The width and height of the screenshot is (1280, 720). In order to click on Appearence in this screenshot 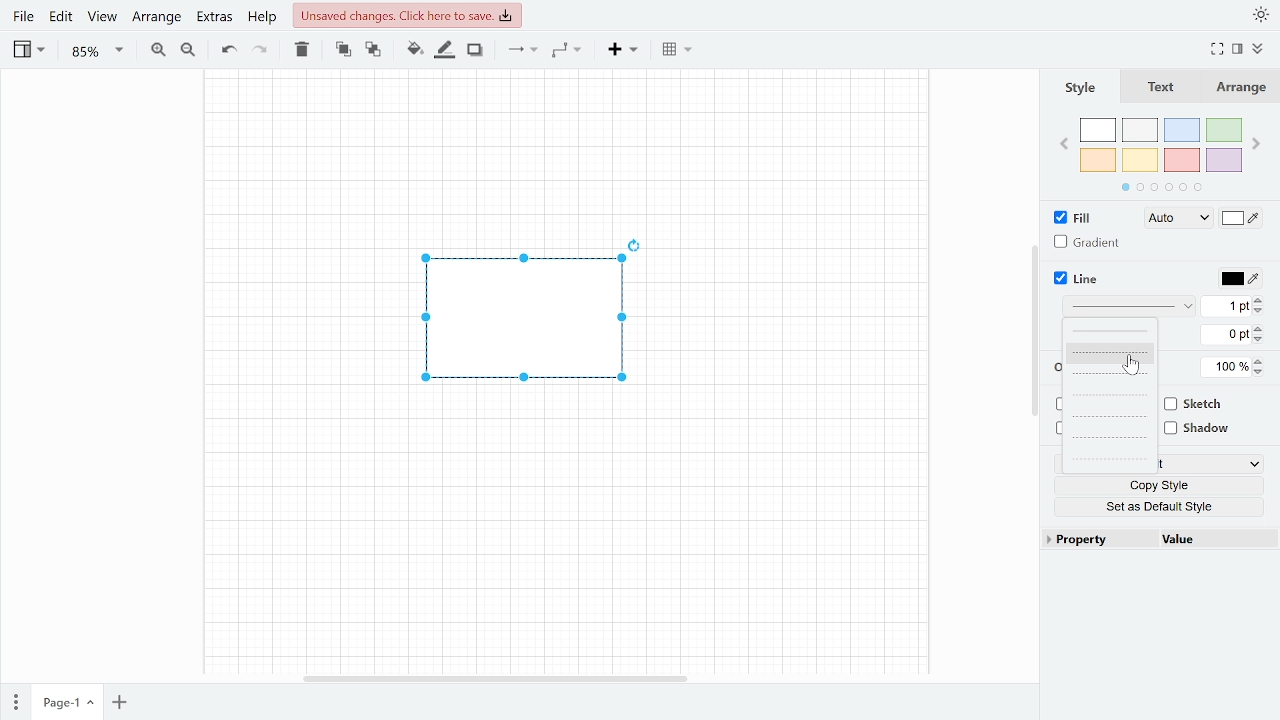, I will do `click(1262, 13)`.